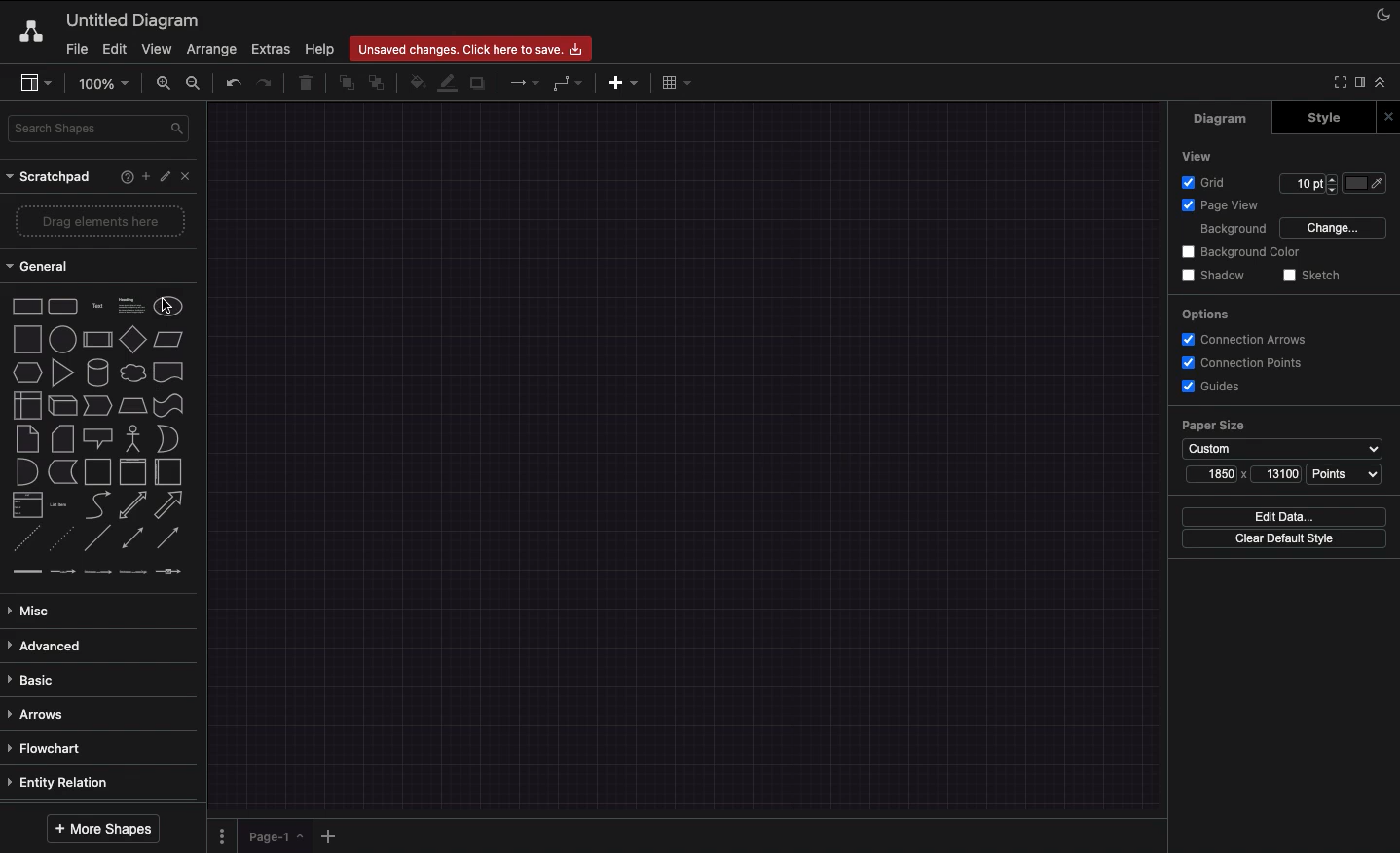 The height and width of the screenshot is (853, 1400). I want to click on Cube, so click(62, 406).